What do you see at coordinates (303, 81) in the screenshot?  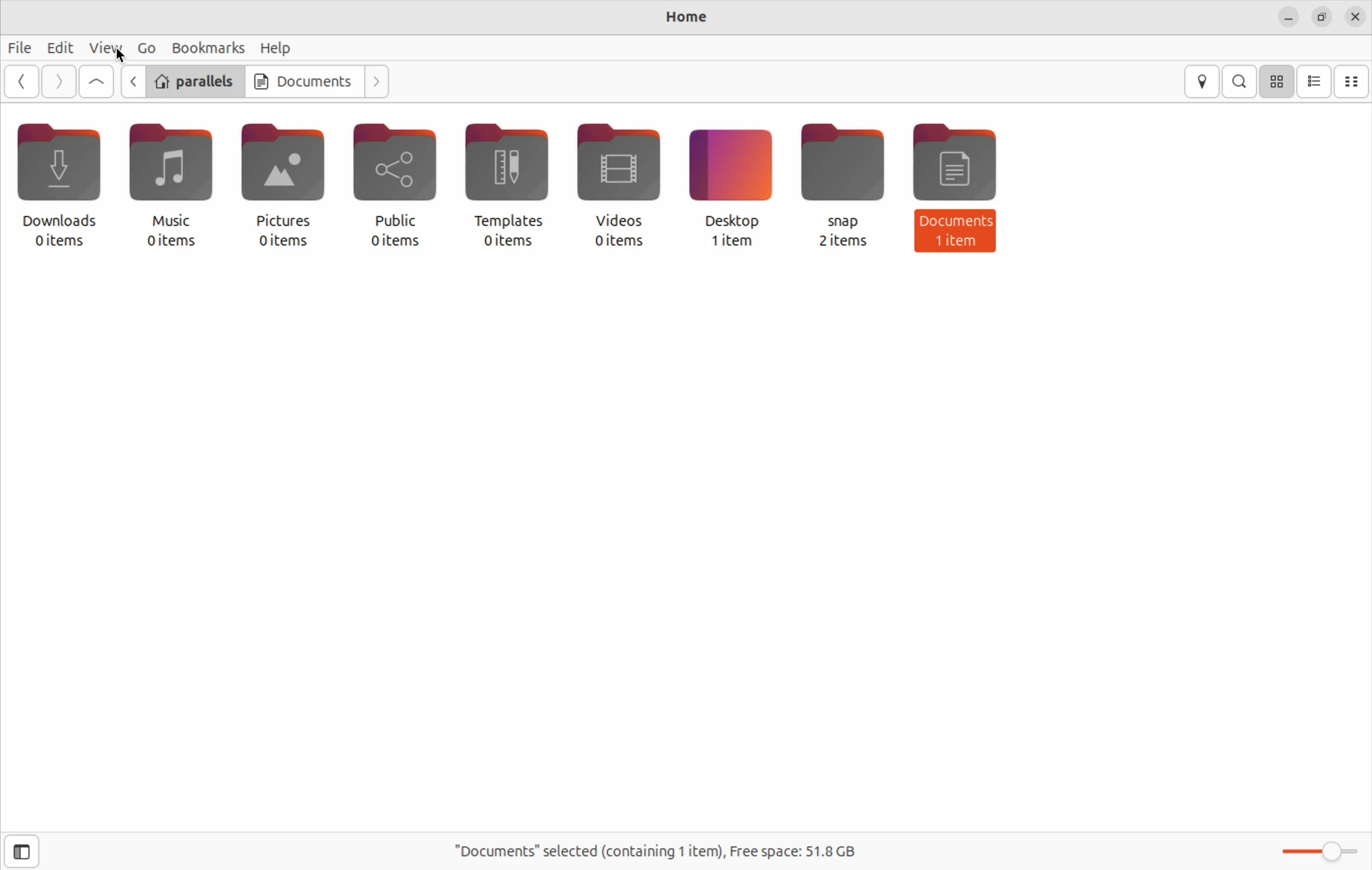 I see `Documents` at bounding box center [303, 81].